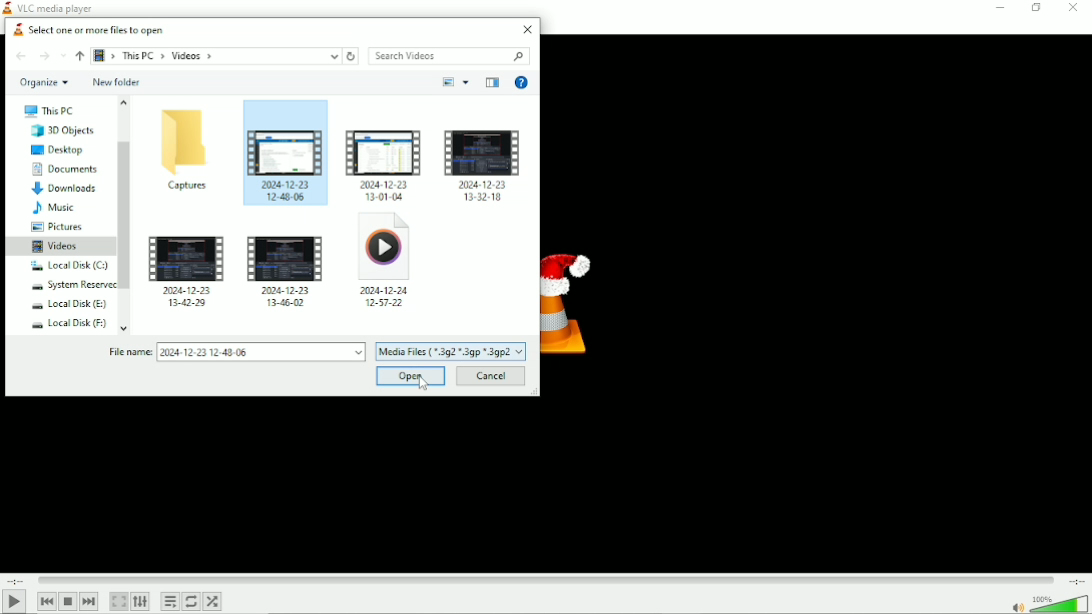 The image size is (1092, 614). What do you see at coordinates (424, 383) in the screenshot?
I see `Cursor` at bounding box center [424, 383].